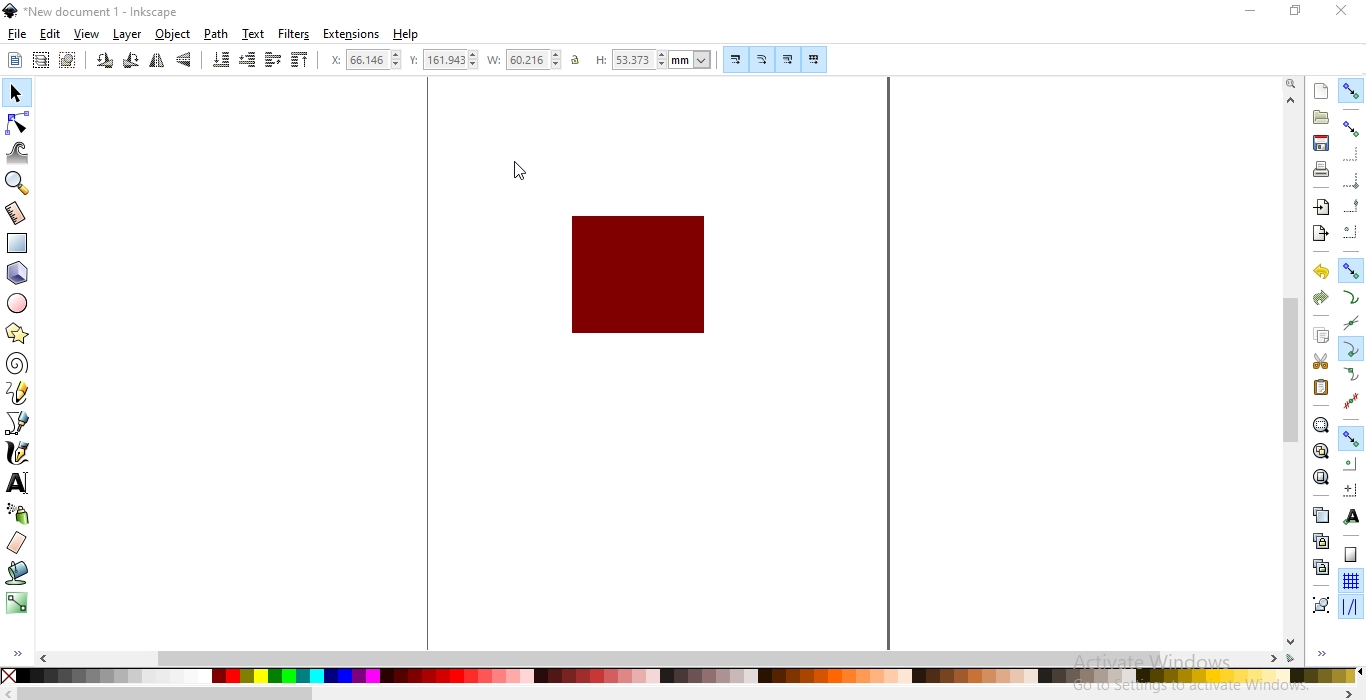  What do you see at coordinates (1321, 117) in the screenshot?
I see `open existing document` at bounding box center [1321, 117].